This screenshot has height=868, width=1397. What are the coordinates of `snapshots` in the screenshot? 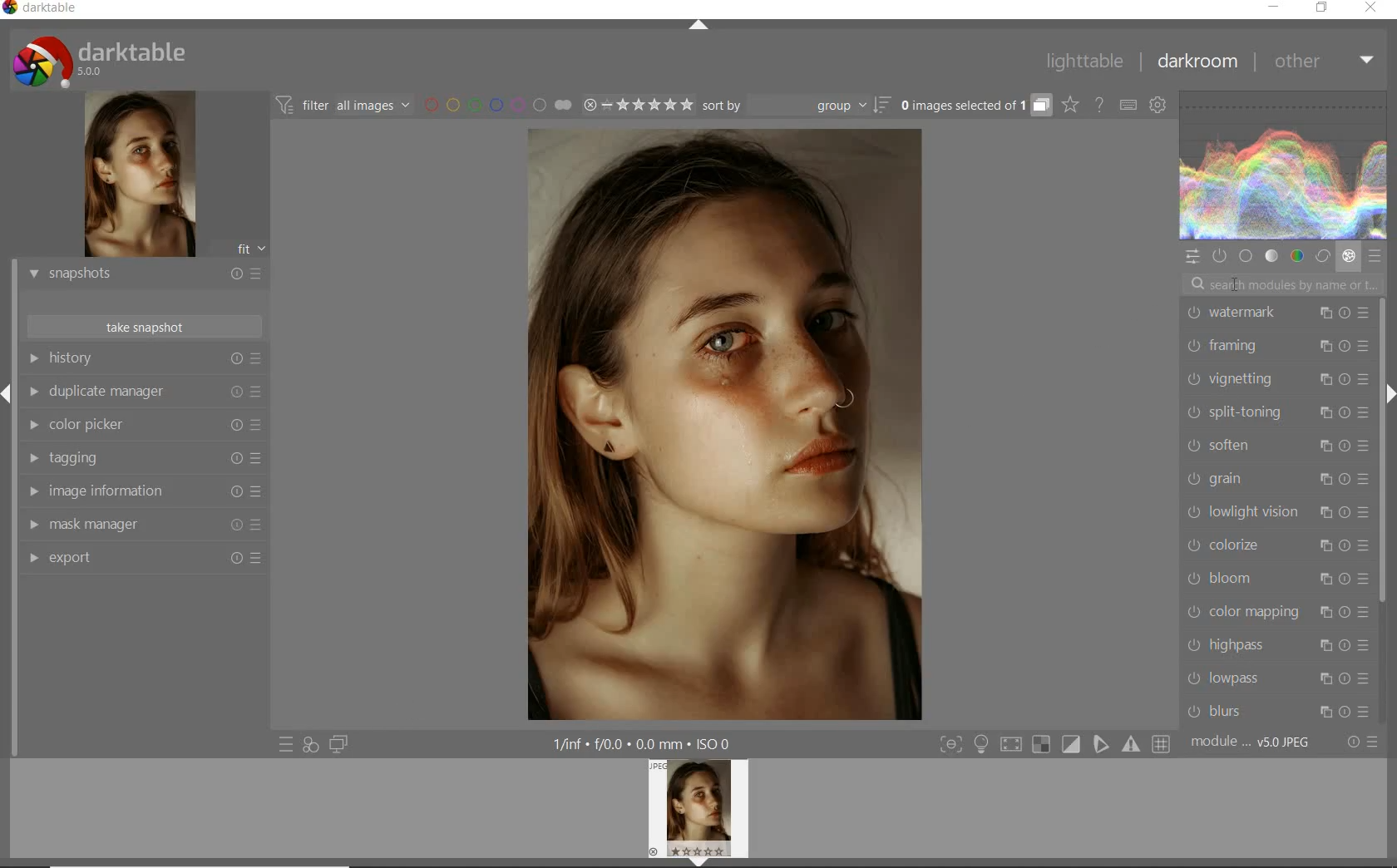 It's located at (144, 275).